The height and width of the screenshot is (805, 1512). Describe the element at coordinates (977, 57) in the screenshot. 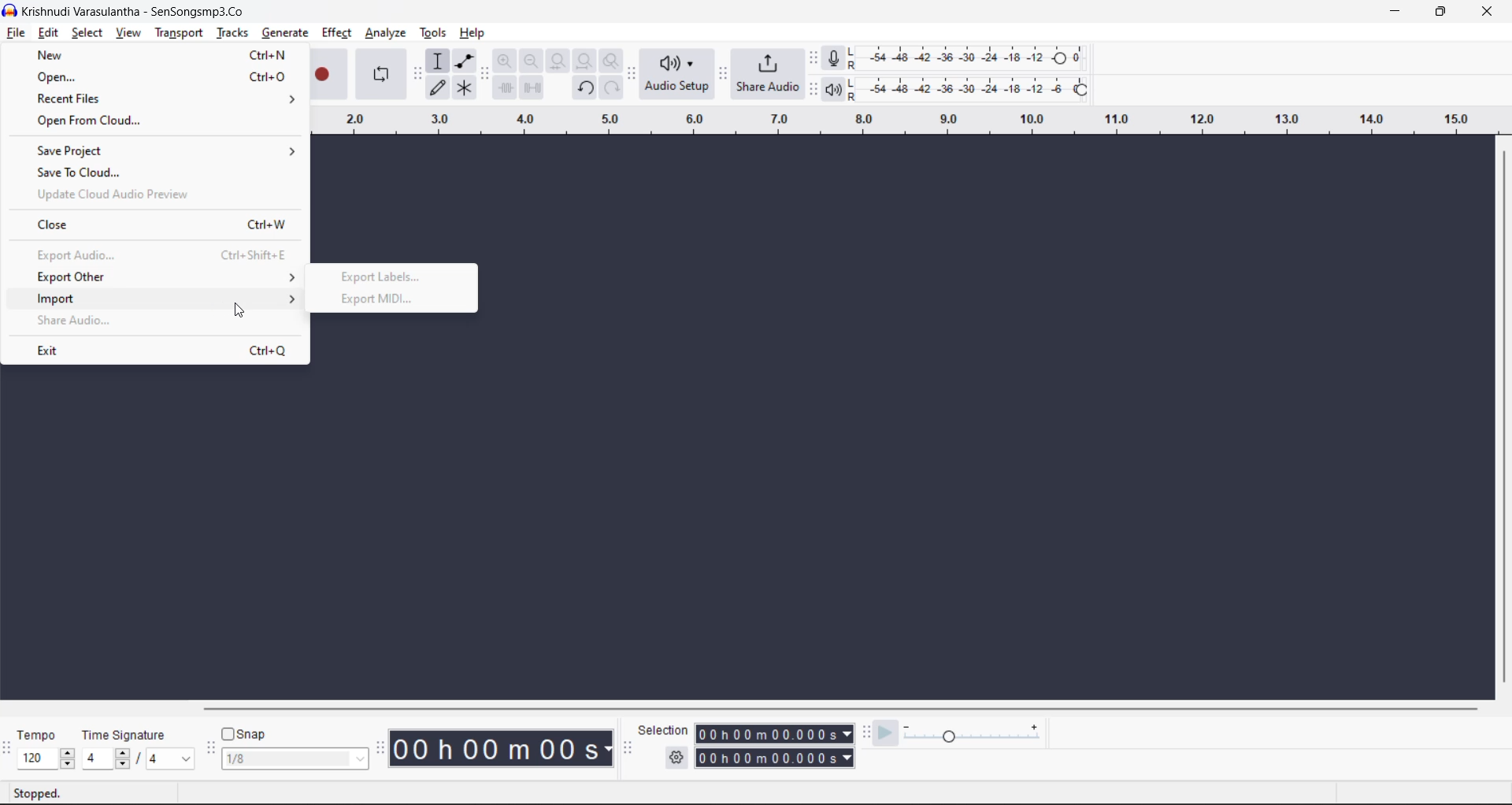

I see `recording level` at that location.